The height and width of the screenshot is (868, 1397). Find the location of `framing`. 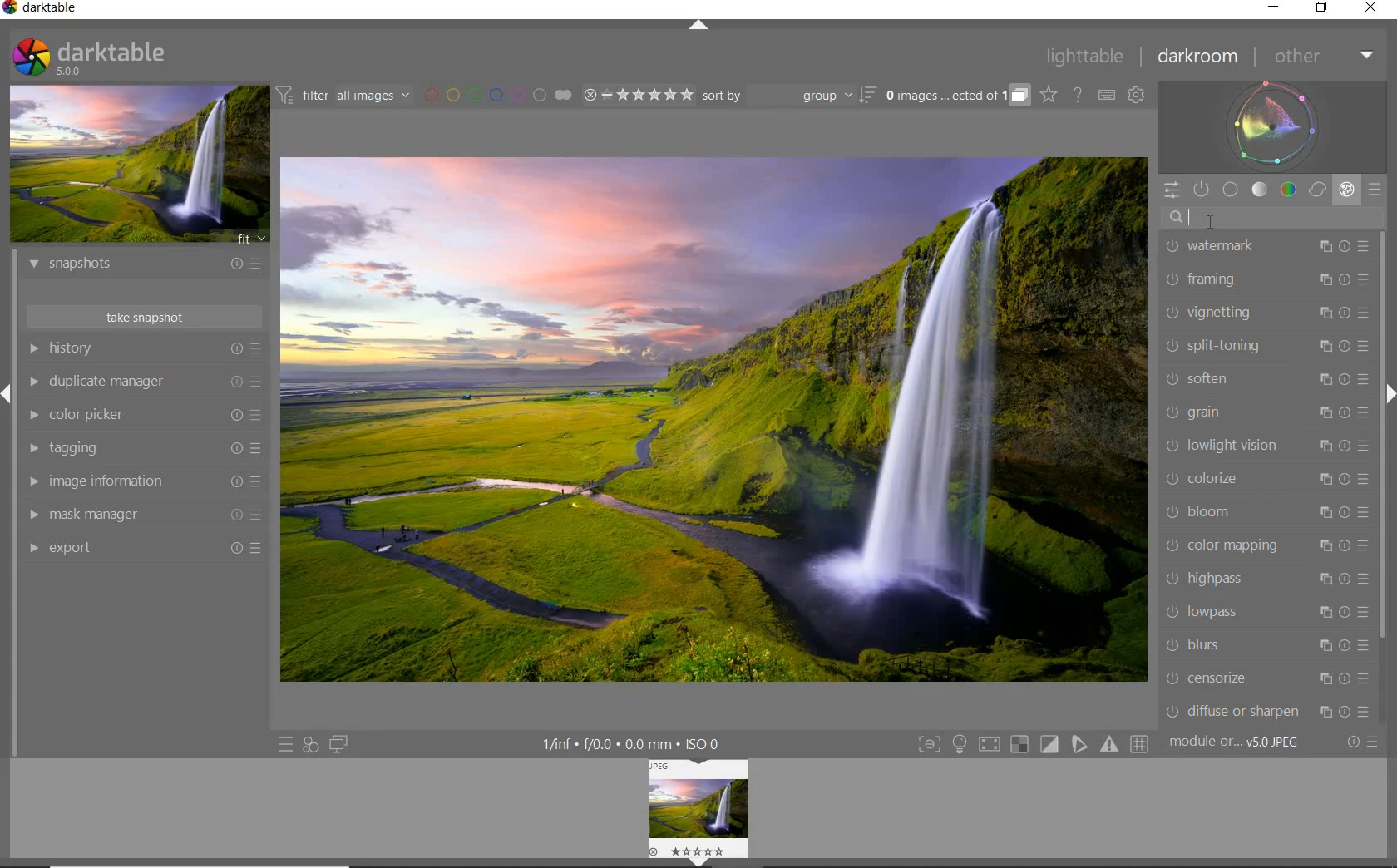

framing is located at coordinates (1268, 281).